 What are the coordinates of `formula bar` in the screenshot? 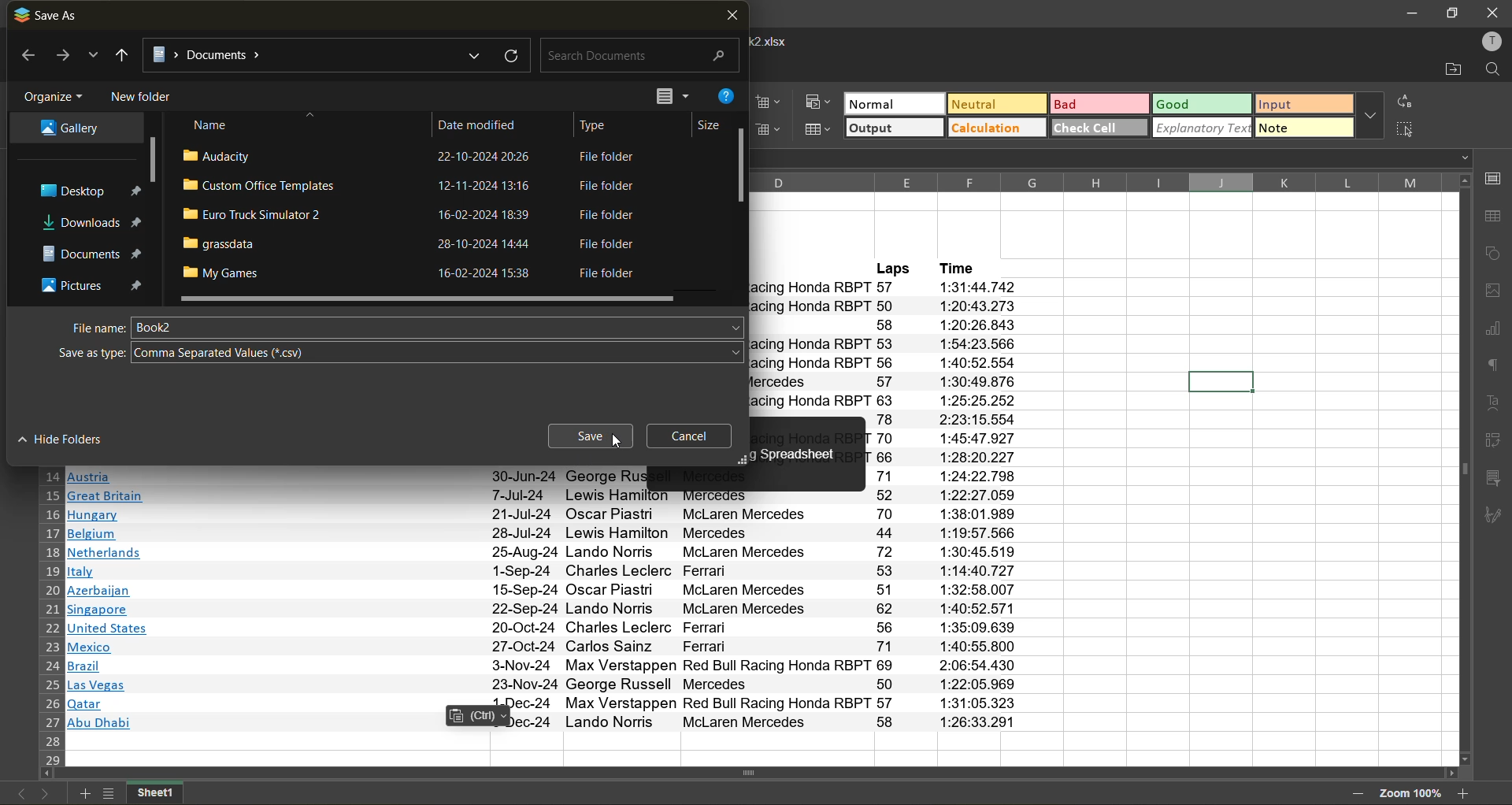 It's located at (1116, 160).